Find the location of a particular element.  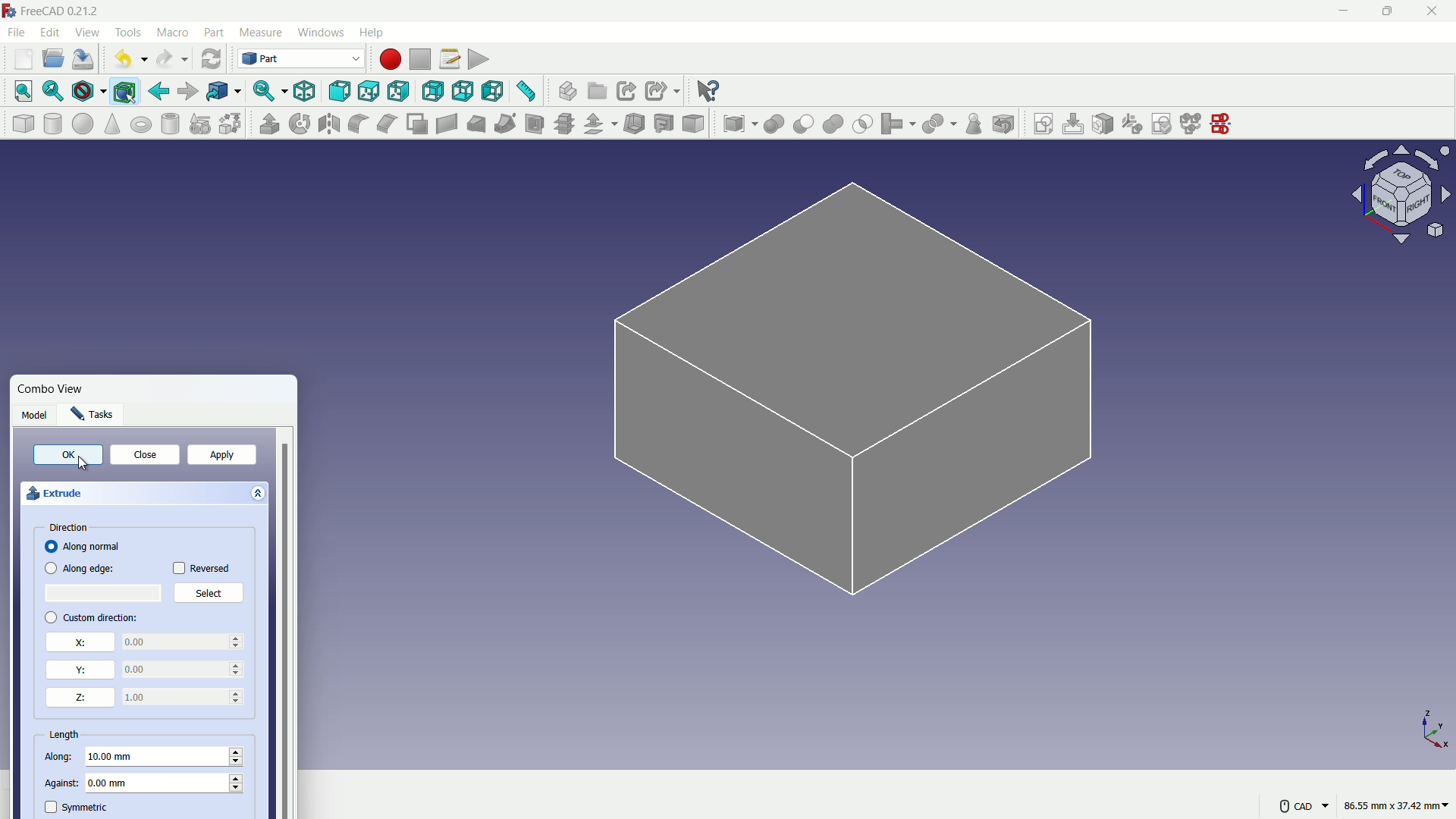

create link is located at coordinates (627, 91).